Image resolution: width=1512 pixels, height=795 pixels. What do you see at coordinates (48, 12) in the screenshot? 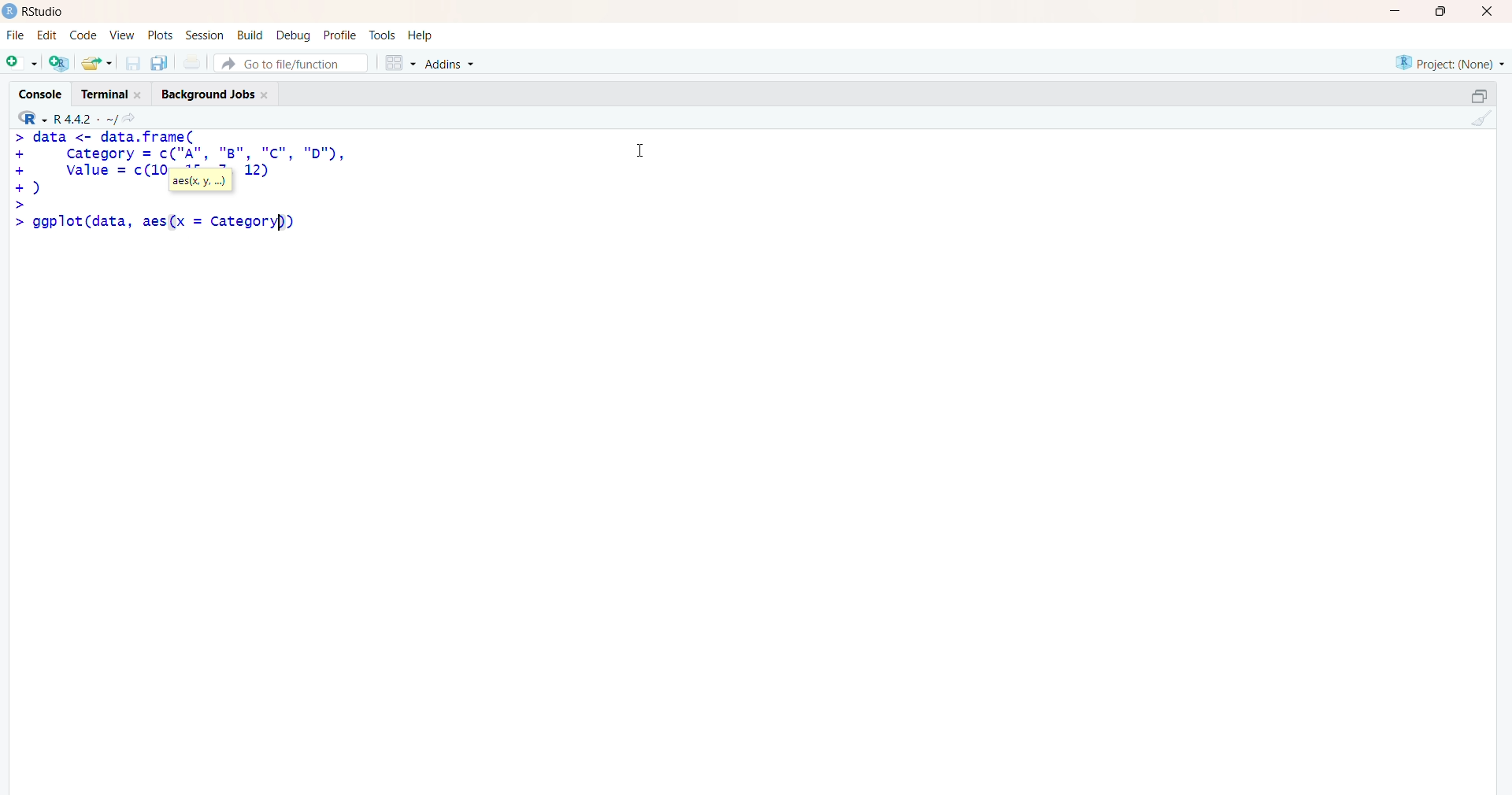
I see `Rstudio` at bounding box center [48, 12].